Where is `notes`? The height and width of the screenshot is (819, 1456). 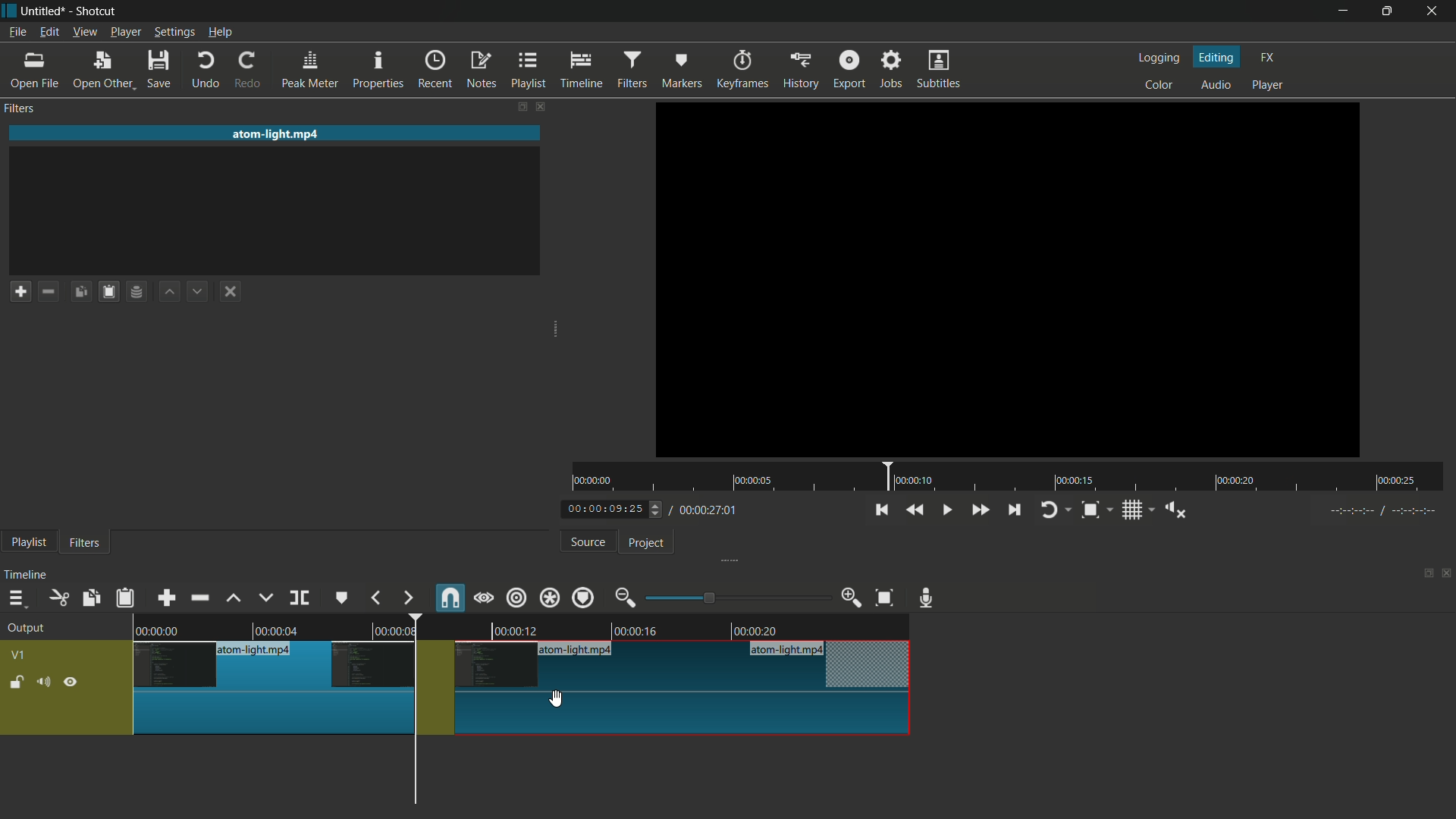 notes is located at coordinates (481, 71).